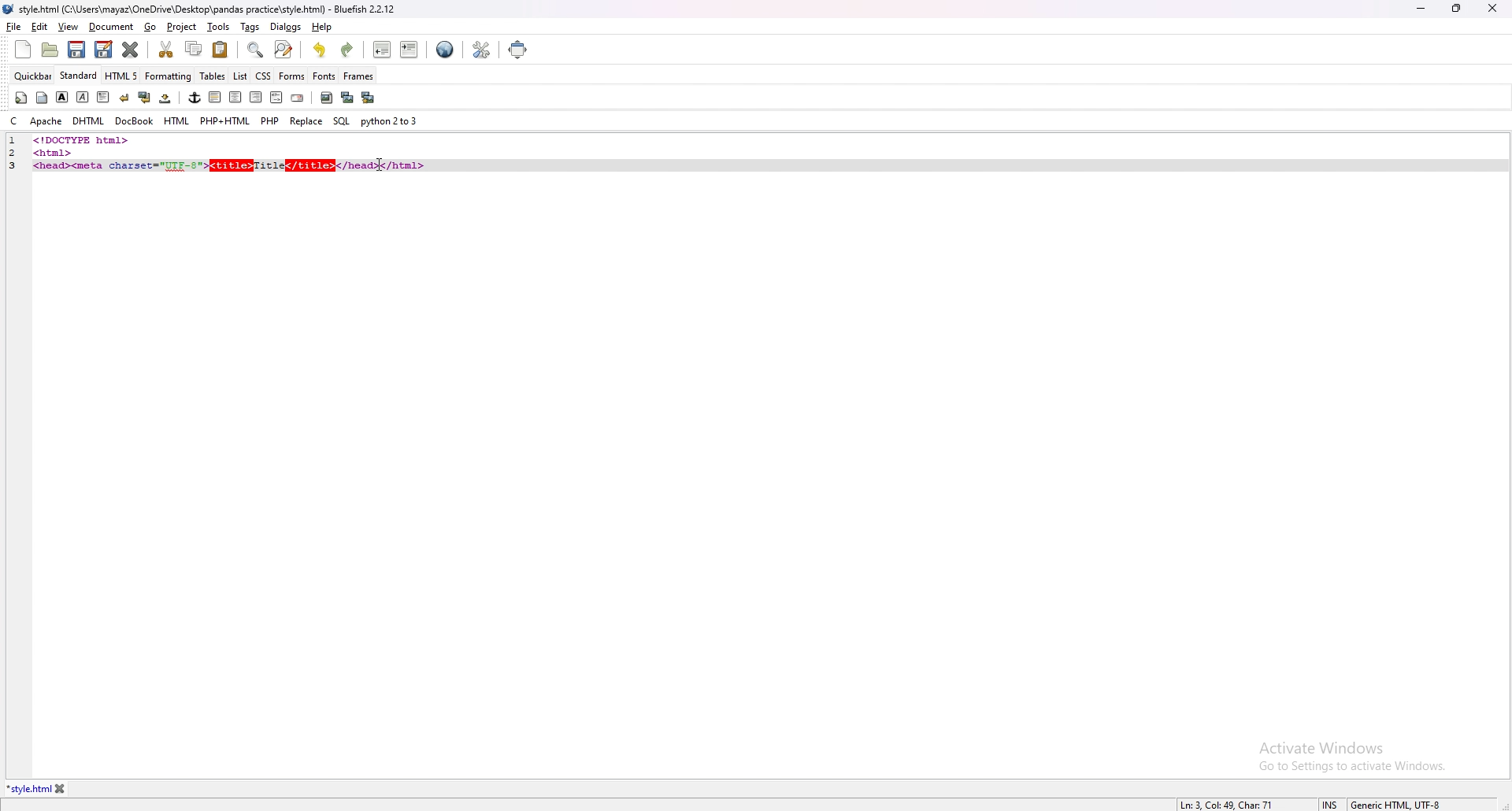 The height and width of the screenshot is (811, 1512). I want to click on cut, so click(168, 49).